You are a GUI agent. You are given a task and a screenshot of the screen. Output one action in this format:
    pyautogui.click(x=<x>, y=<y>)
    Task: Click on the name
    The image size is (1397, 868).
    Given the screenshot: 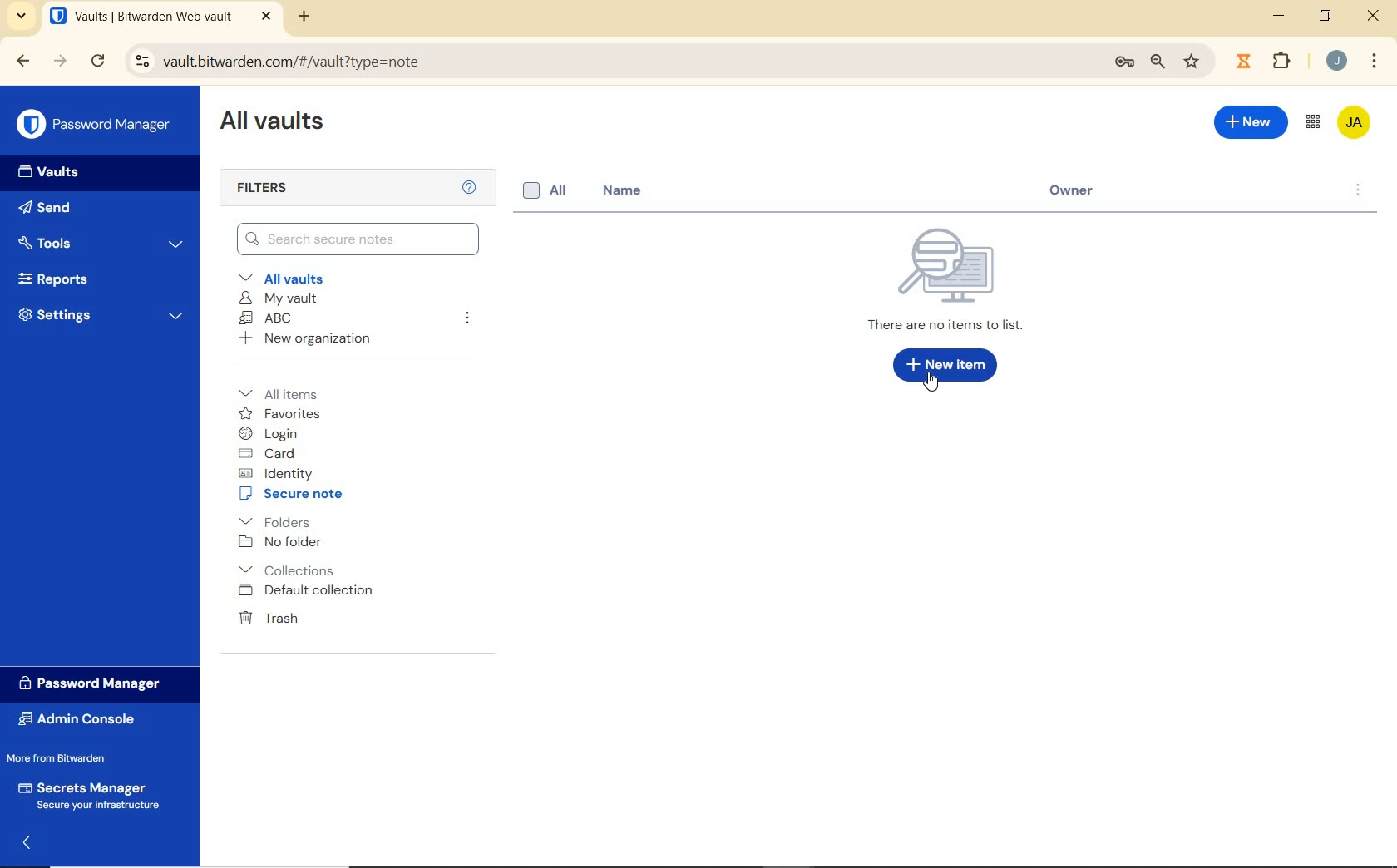 What is the action you would take?
    pyautogui.click(x=636, y=191)
    